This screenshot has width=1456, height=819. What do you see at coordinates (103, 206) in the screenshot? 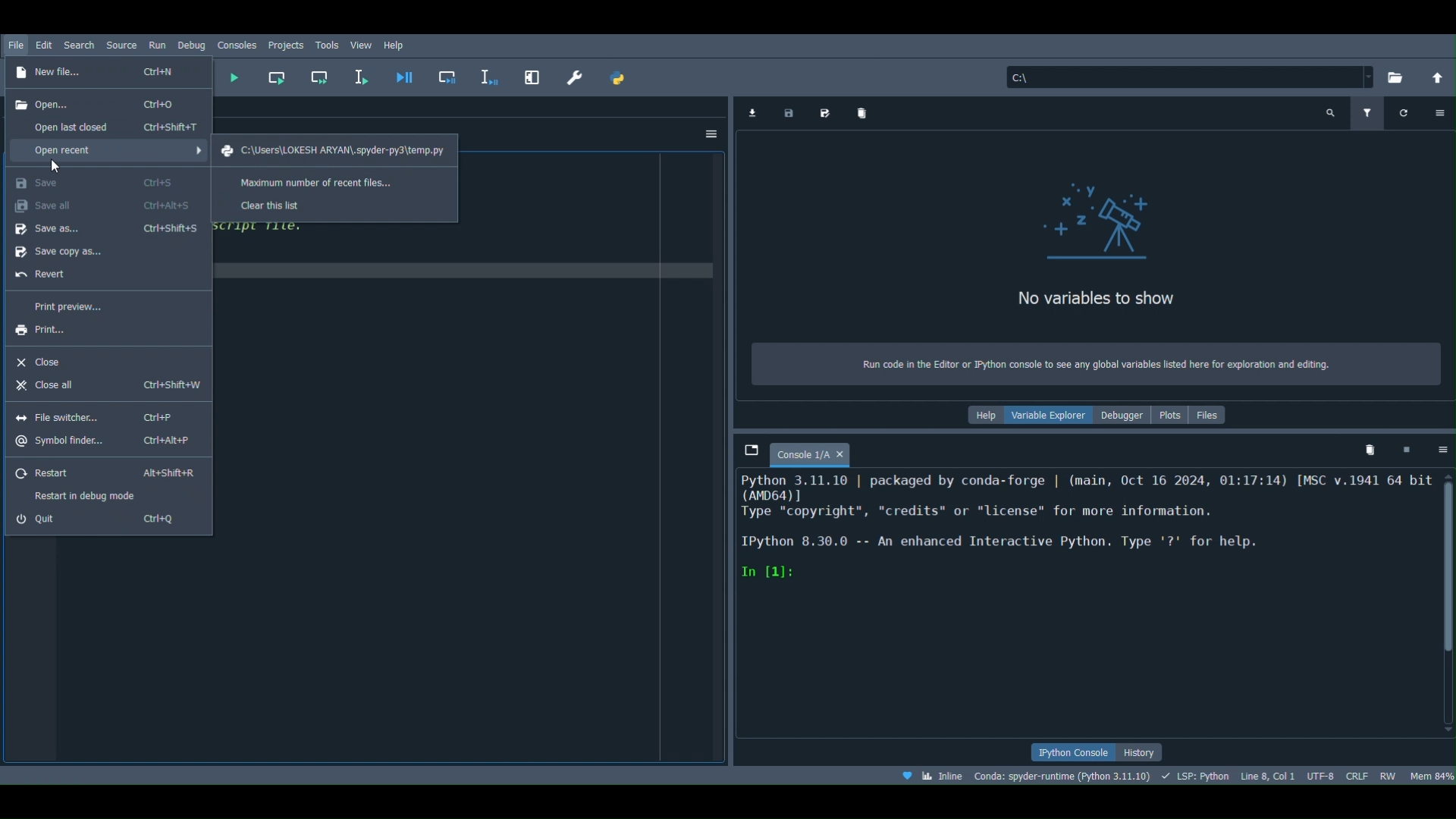
I see `Save all` at bounding box center [103, 206].